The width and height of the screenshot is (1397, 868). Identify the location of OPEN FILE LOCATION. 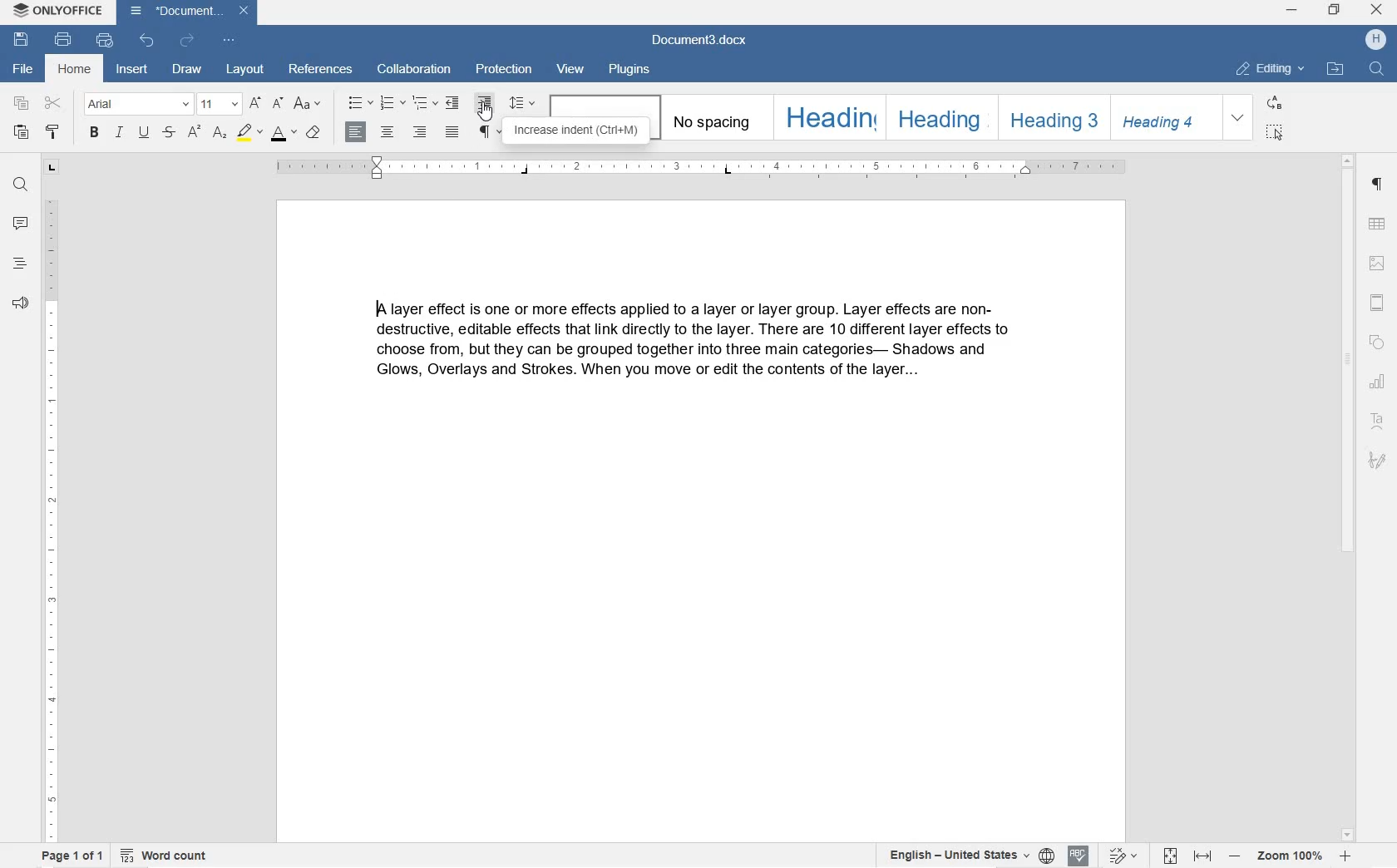
(1336, 68).